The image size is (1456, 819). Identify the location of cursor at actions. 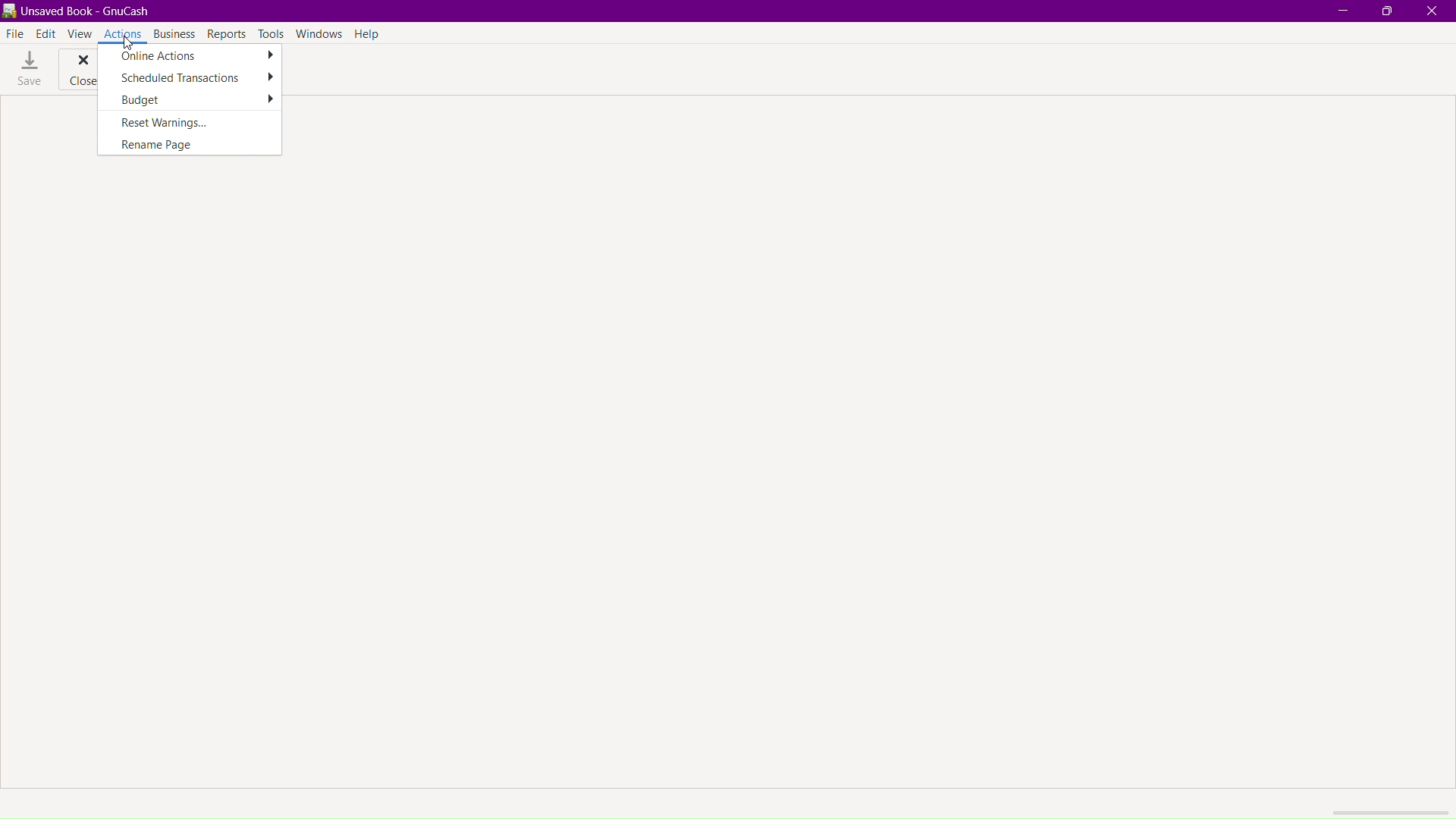
(128, 42).